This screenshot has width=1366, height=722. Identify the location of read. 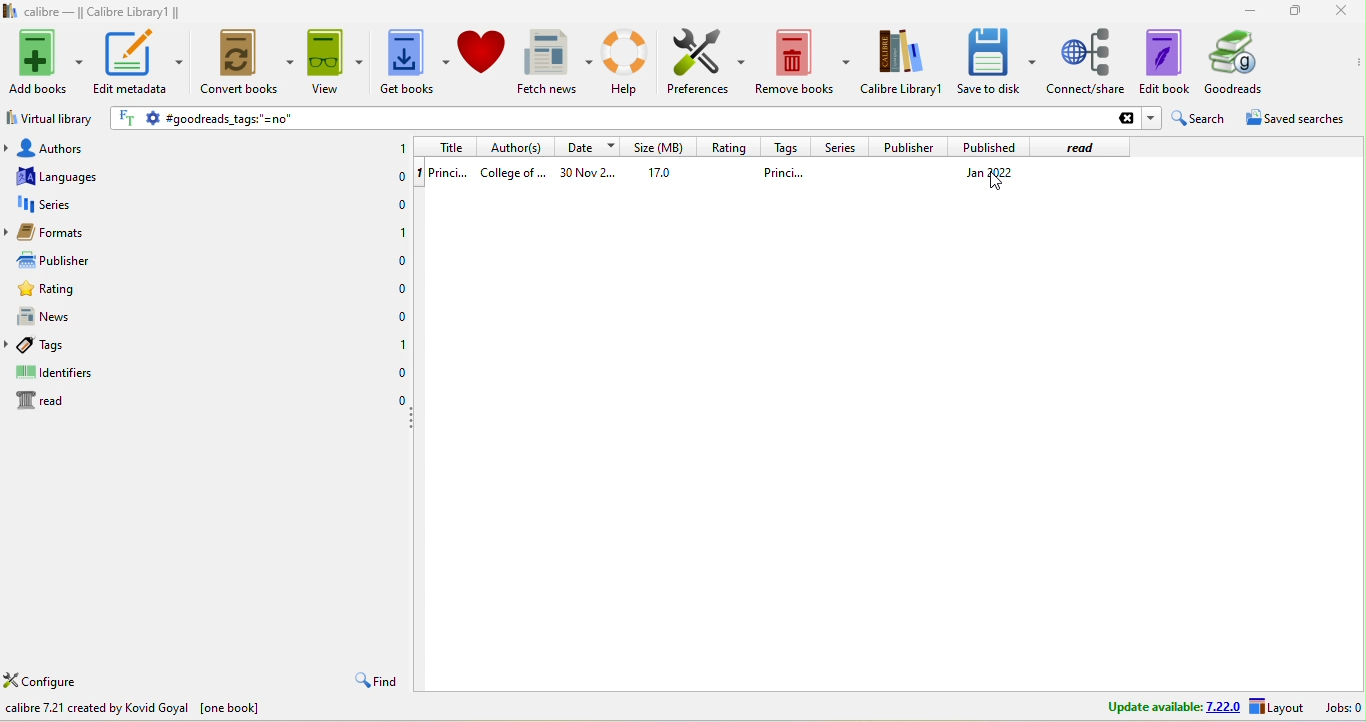
(1086, 146).